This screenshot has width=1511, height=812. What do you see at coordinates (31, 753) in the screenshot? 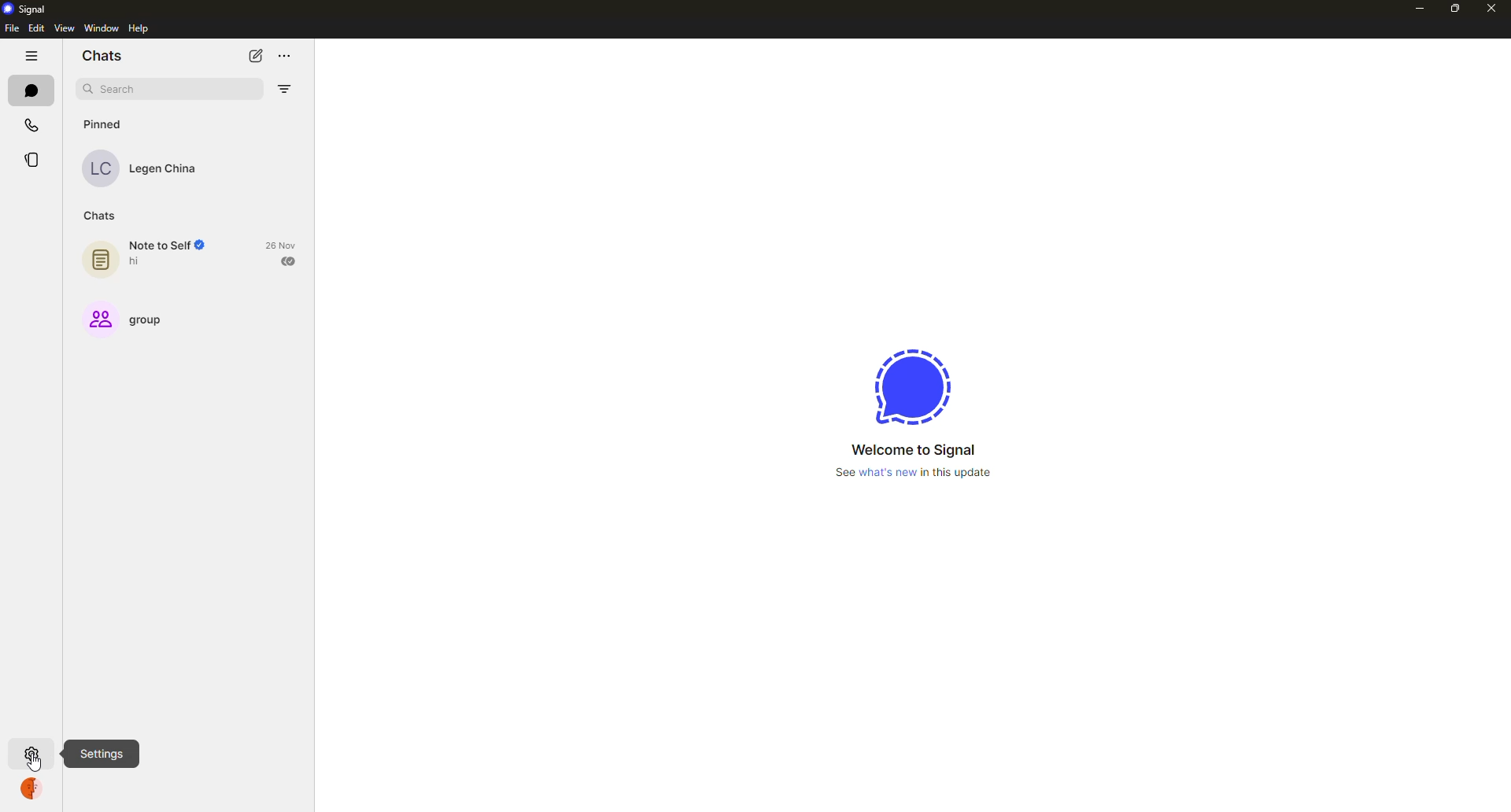
I see `settings` at bounding box center [31, 753].